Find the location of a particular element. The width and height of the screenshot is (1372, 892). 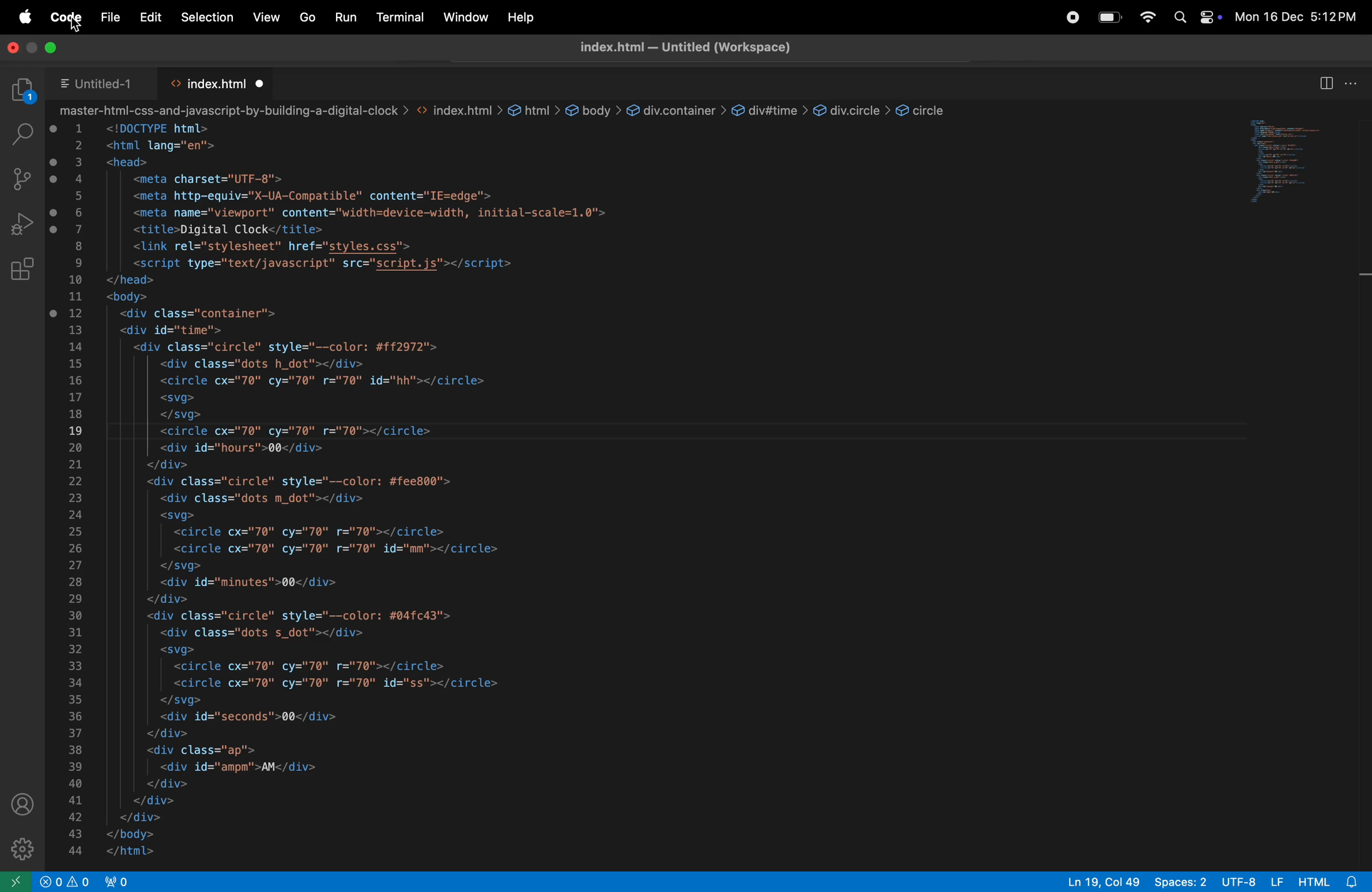

<div class="container"> is located at coordinates (198, 313).